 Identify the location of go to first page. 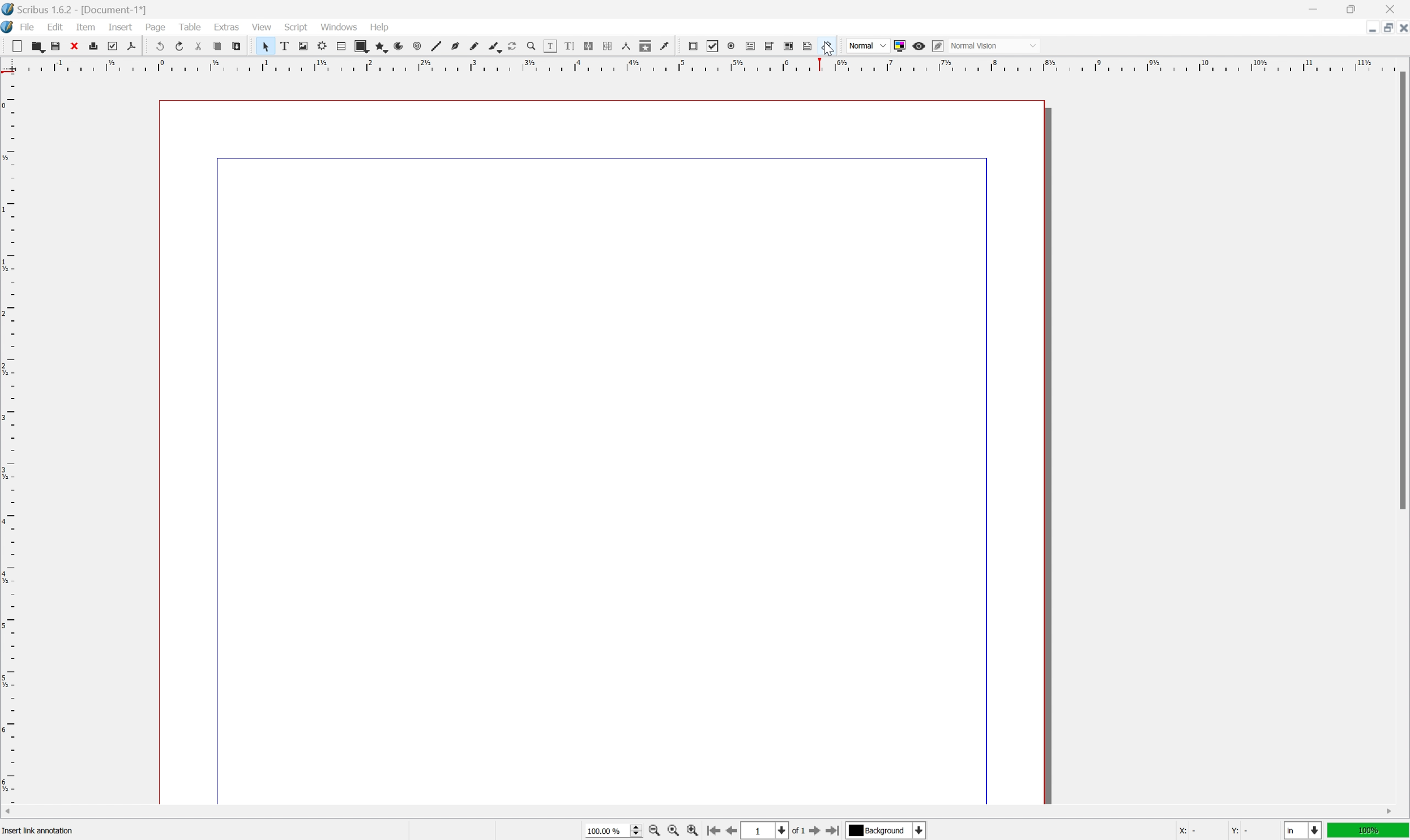
(713, 832).